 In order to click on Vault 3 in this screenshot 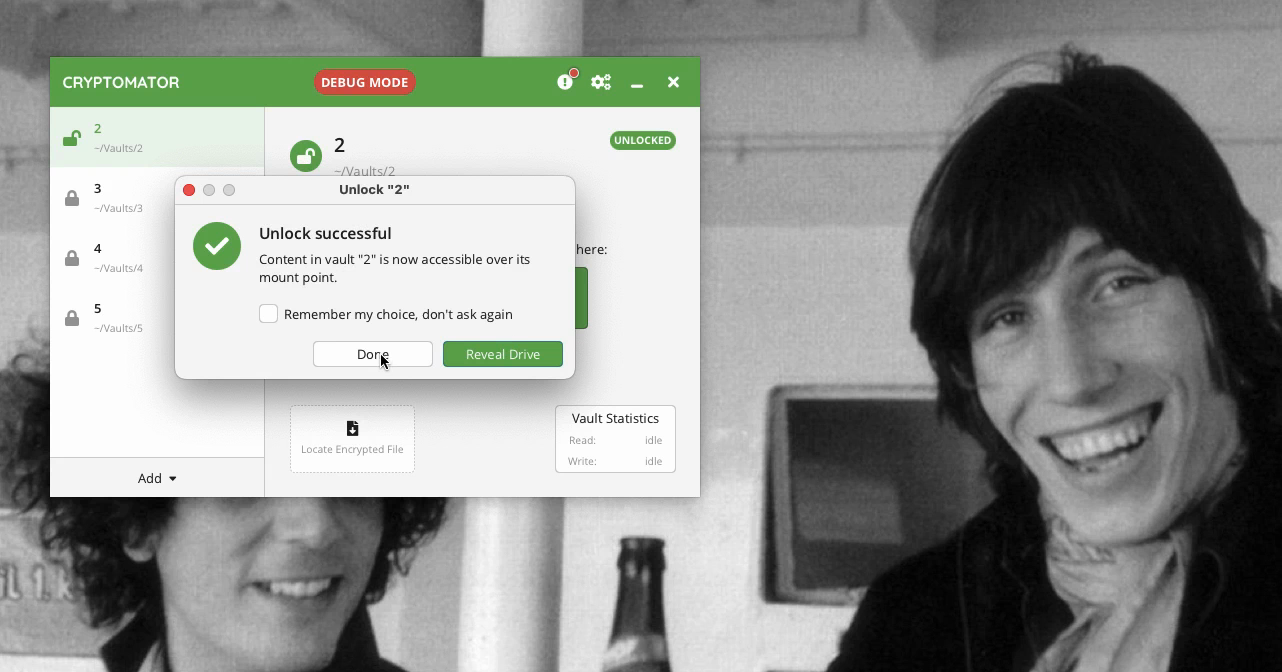, I will do `click(114, 196)`.